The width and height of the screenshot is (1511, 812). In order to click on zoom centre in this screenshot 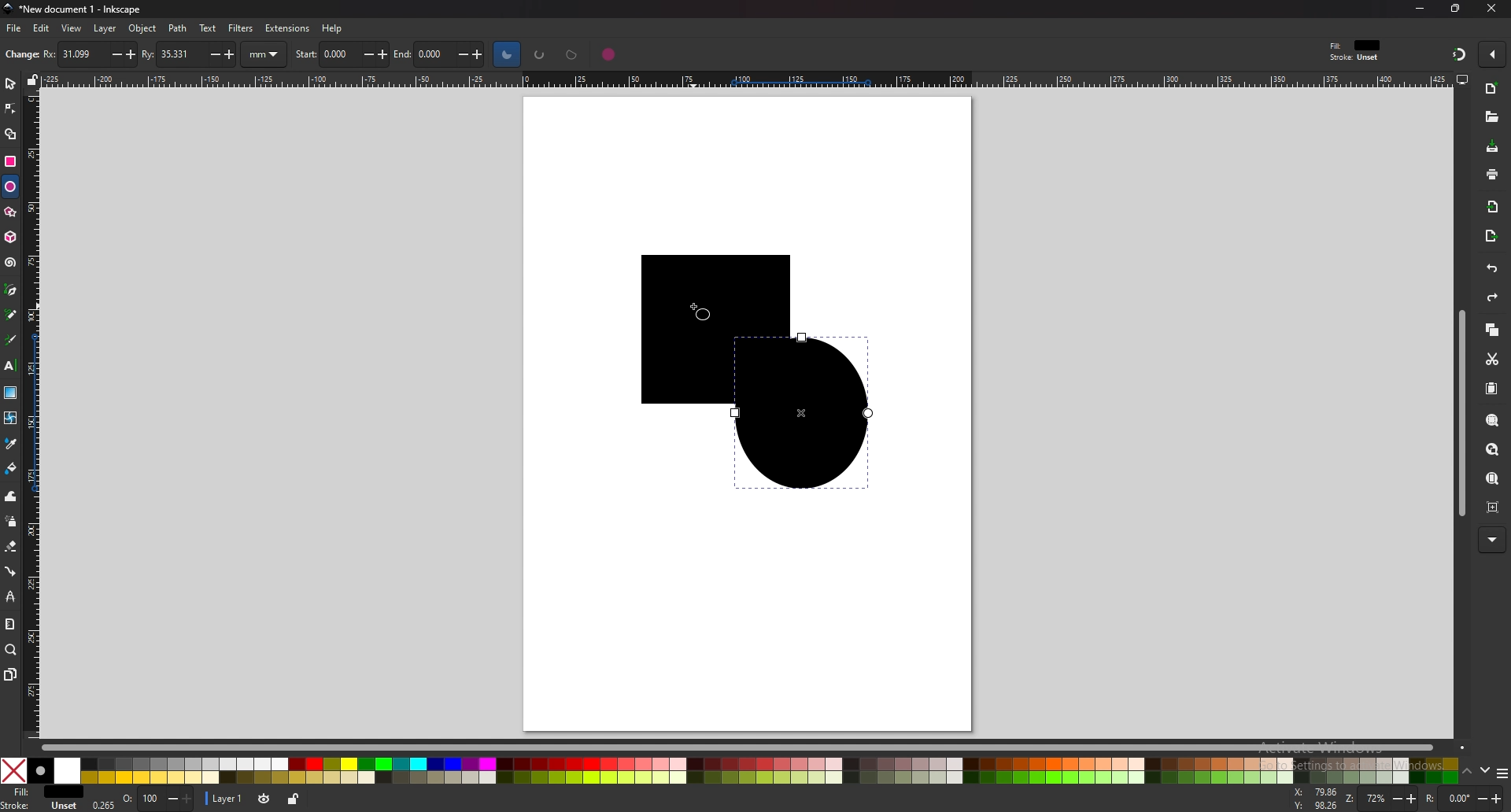, I will do `click(1493, 506)`.